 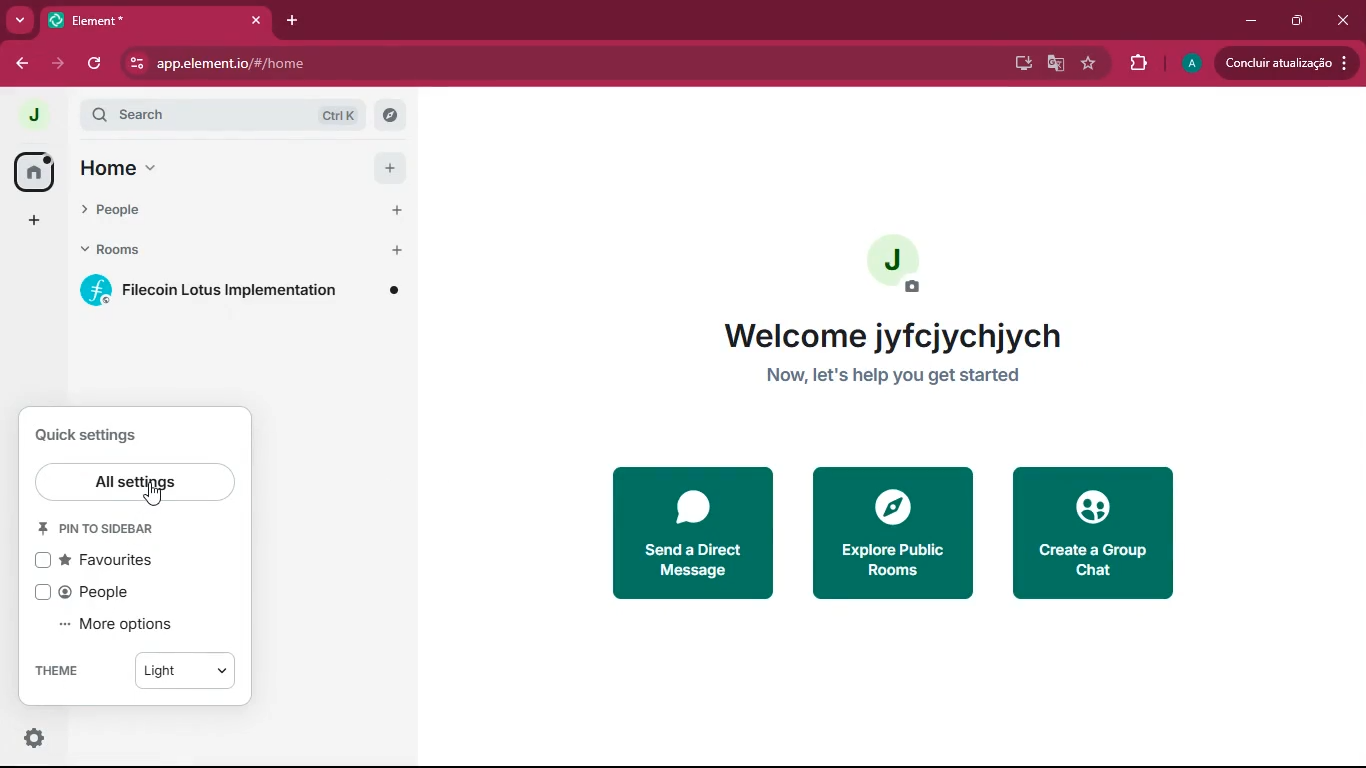 I want to click on forward, so click(x=61, y=66).